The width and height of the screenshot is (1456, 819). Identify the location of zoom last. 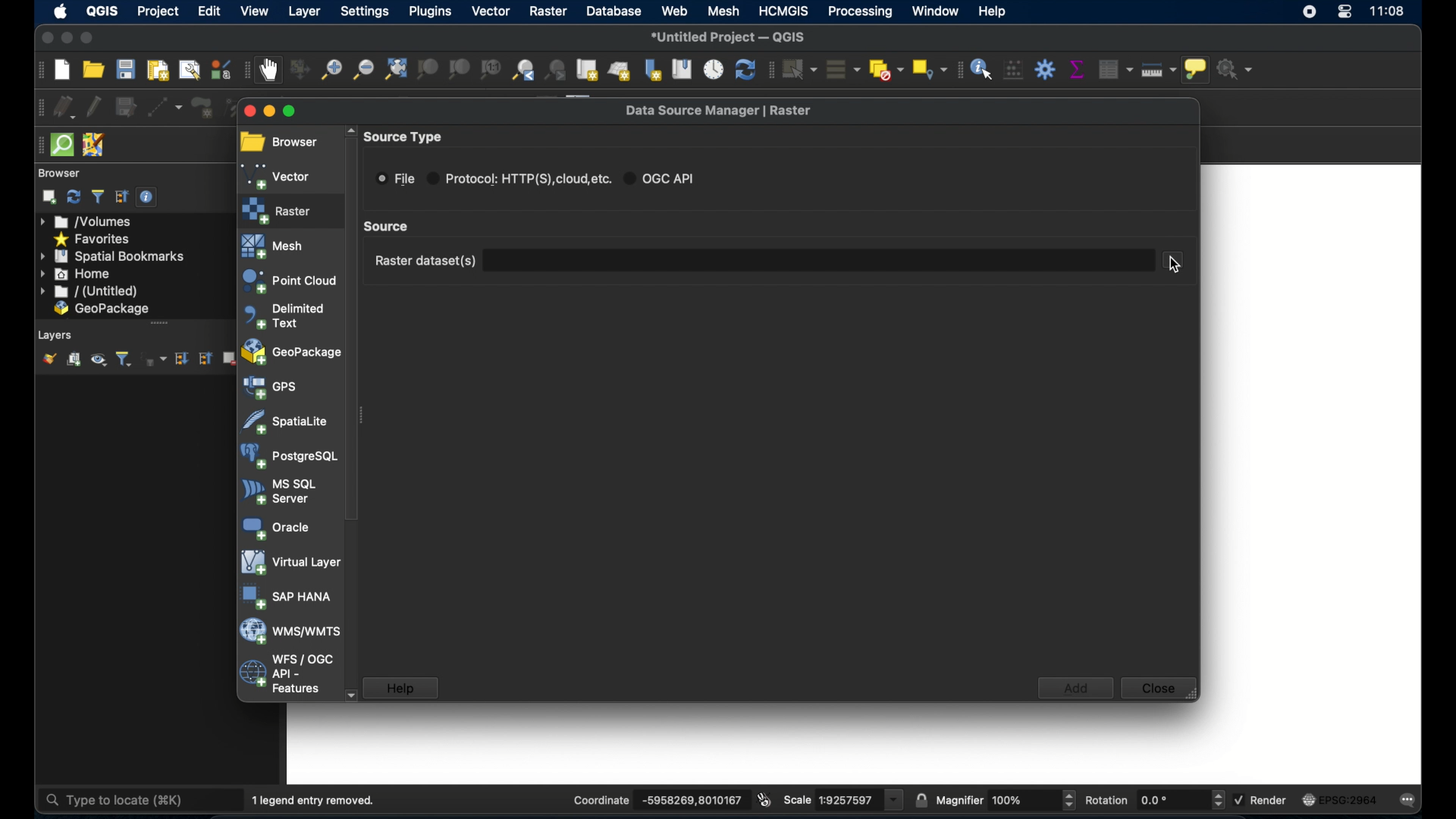
(524, 69).